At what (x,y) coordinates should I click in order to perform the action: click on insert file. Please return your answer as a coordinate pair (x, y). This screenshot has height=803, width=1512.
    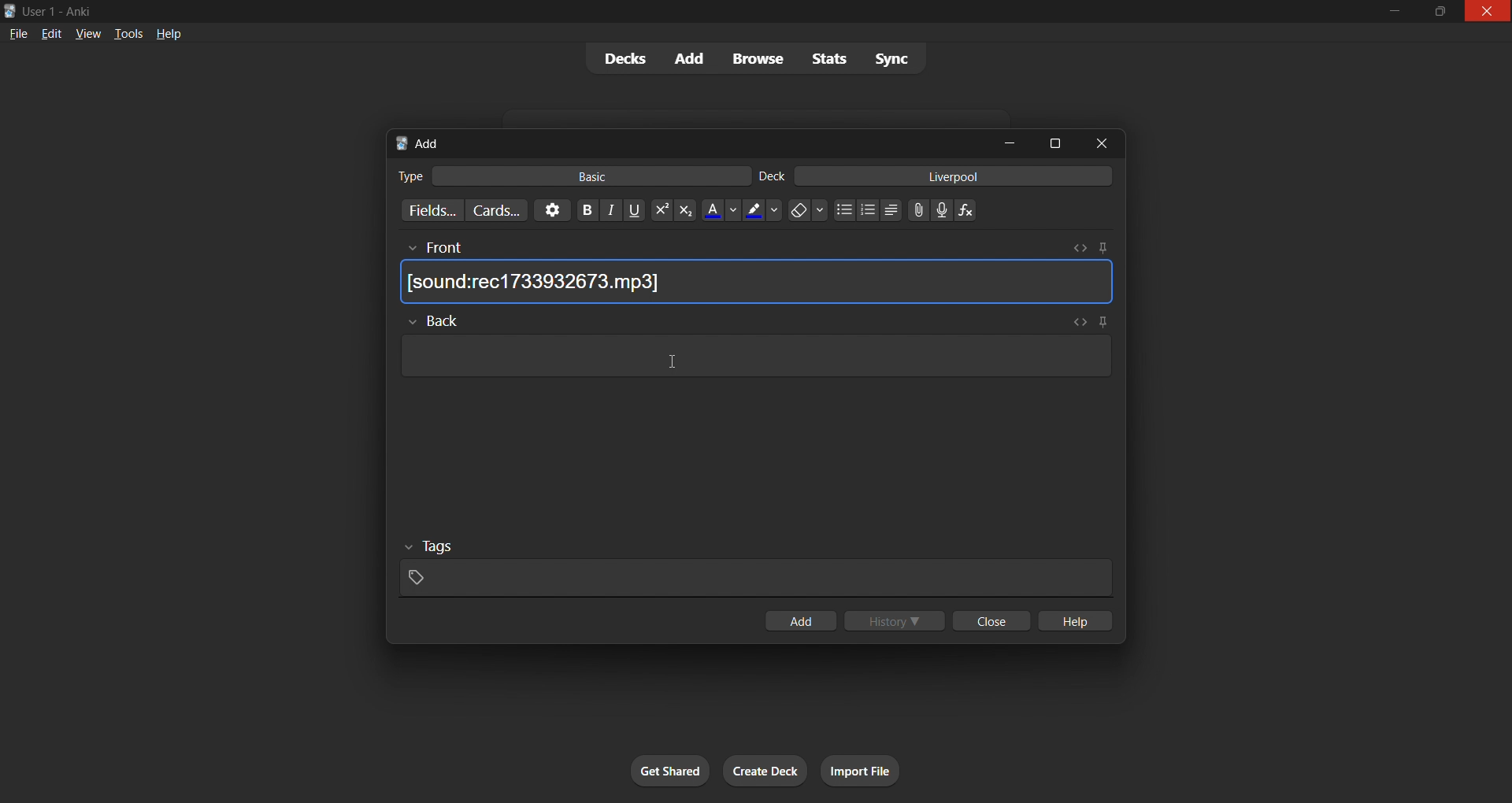
    Looking at the image, I should click on (913, 208).